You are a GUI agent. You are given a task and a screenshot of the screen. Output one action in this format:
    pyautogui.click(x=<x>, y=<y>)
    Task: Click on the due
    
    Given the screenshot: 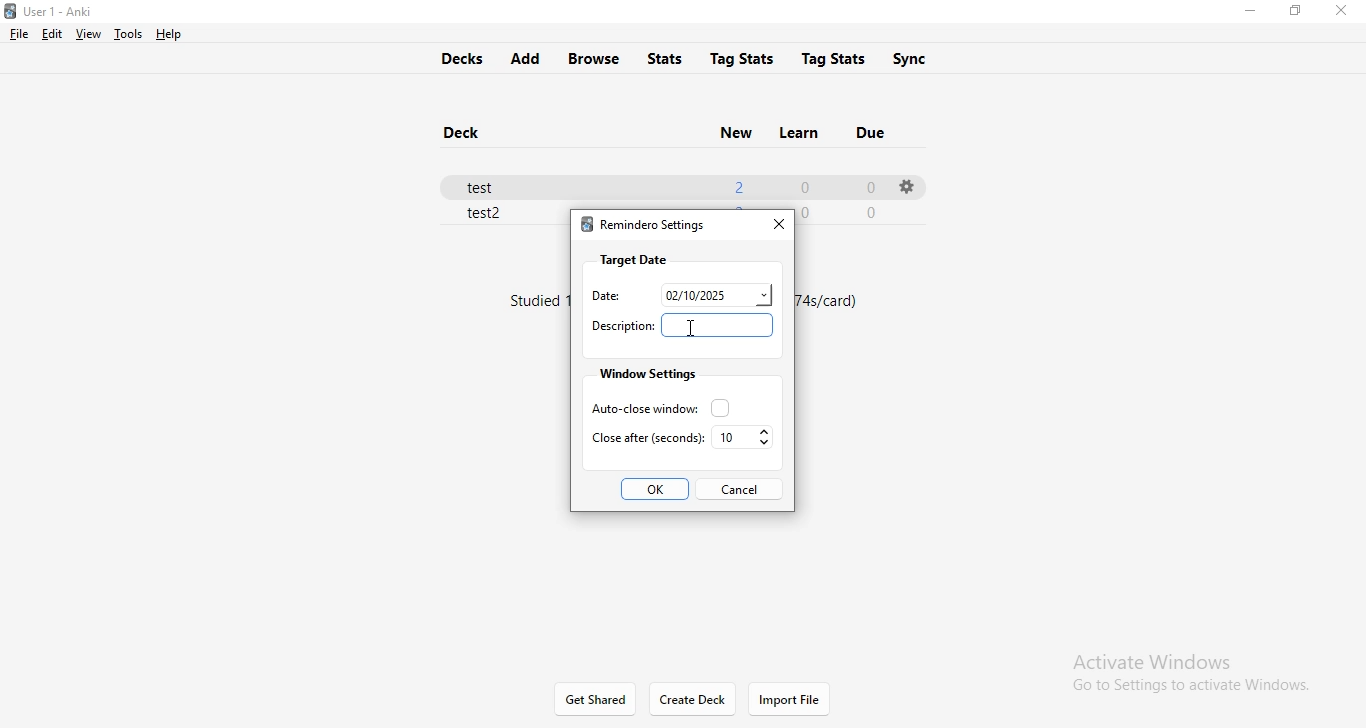 What is the action you would take?
    pyautogui.click(x=874, y=130)
    